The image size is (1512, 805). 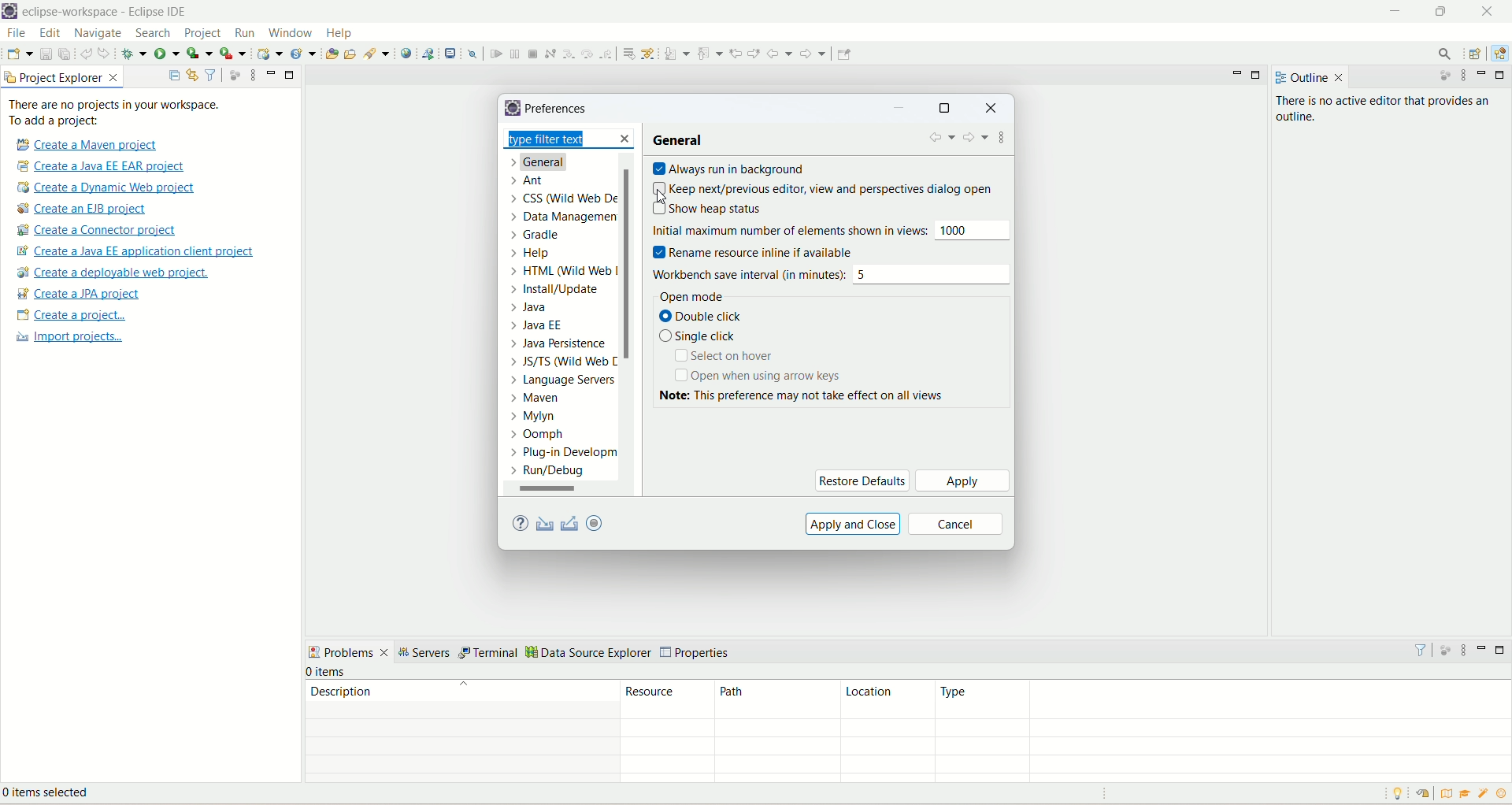 I want to click on Java EE, so click(x=537, y=325).